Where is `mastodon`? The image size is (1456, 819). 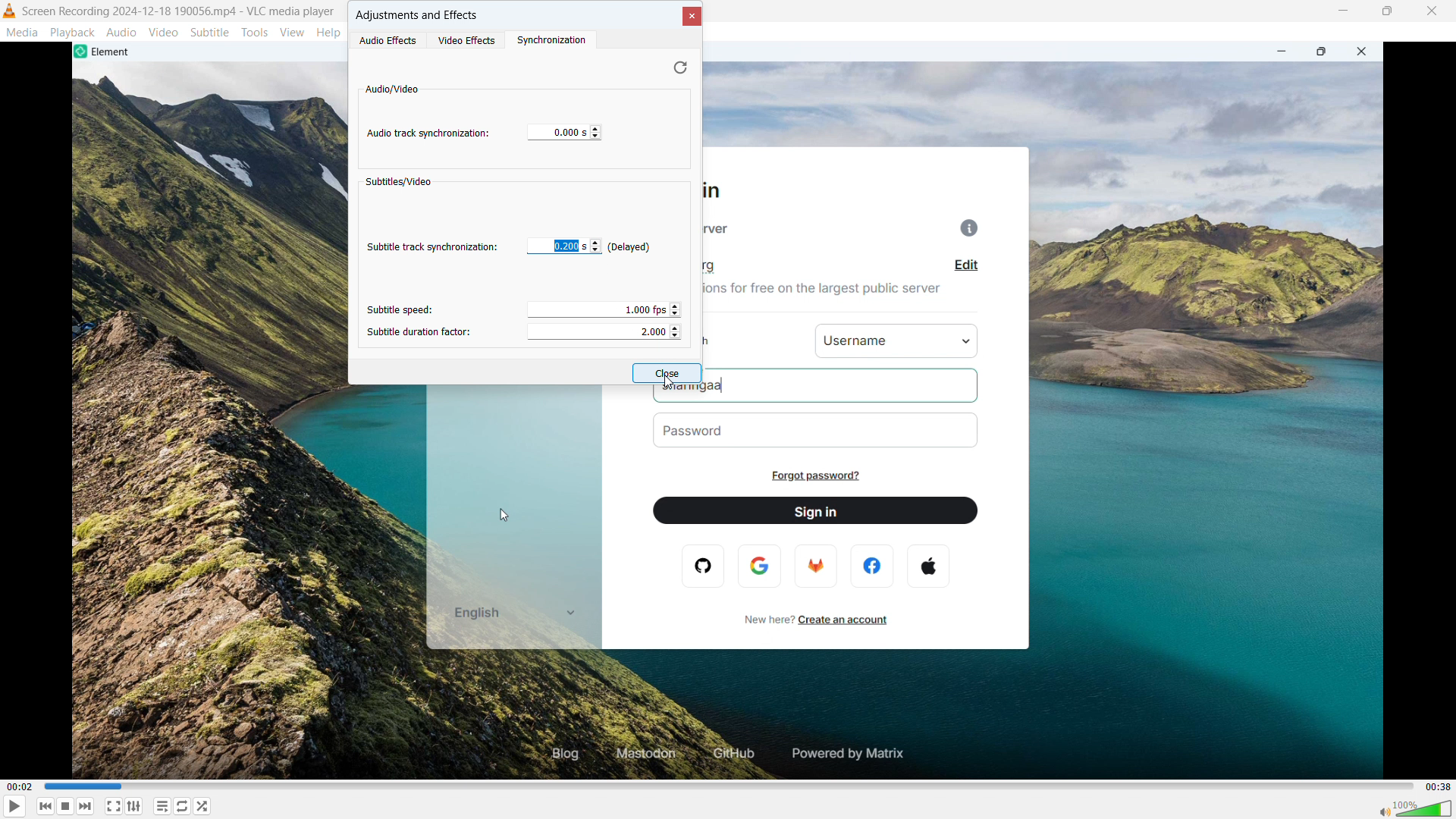 mastodon is located at coordinates (645, 751).